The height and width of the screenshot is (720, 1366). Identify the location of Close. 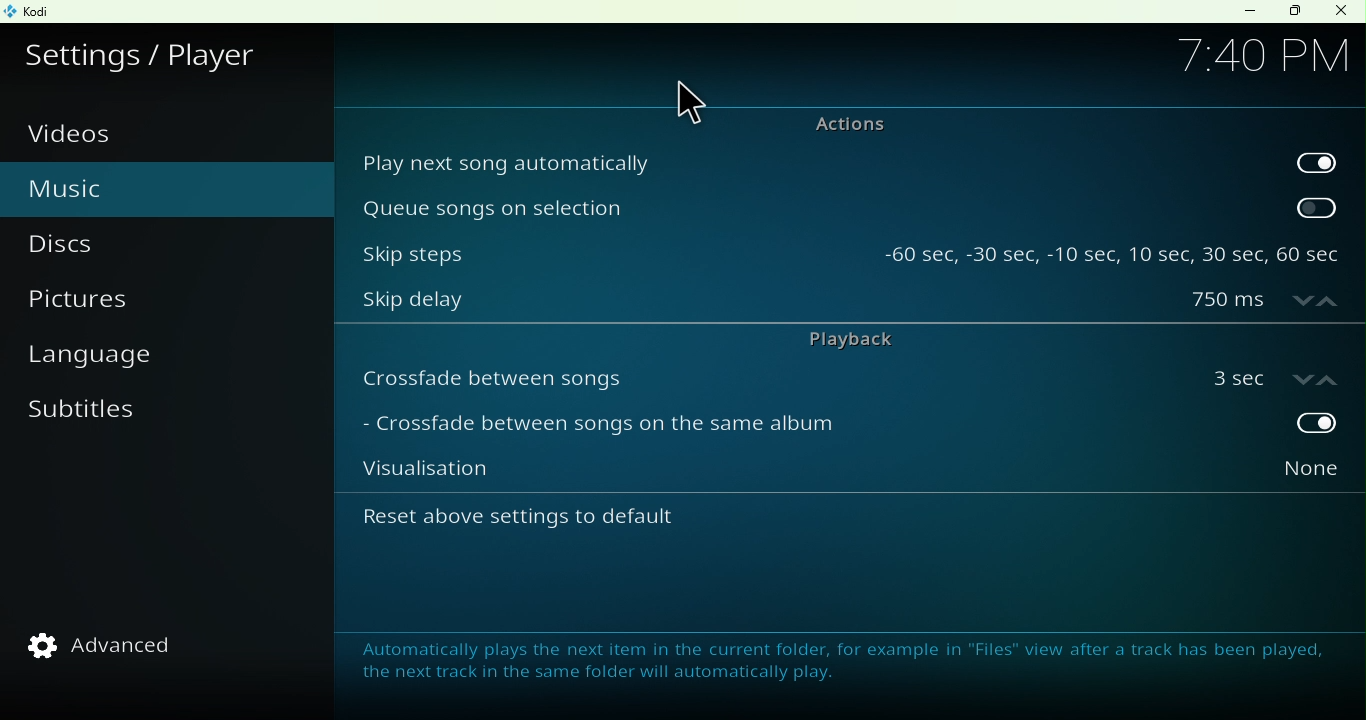
(1340, 12).